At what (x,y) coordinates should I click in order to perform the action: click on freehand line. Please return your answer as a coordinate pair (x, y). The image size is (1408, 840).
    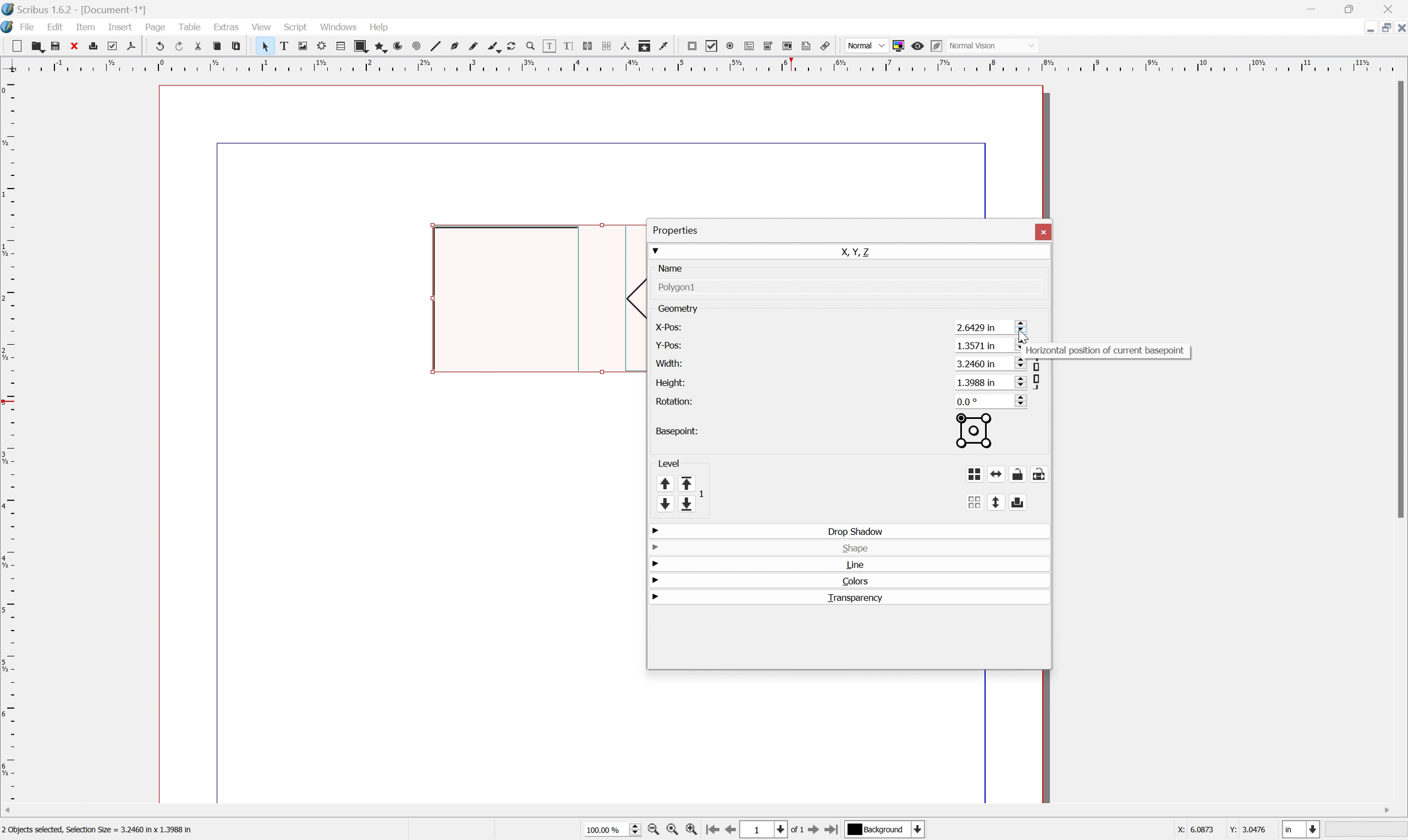
    Looking at the image, I should click on (471, 46).